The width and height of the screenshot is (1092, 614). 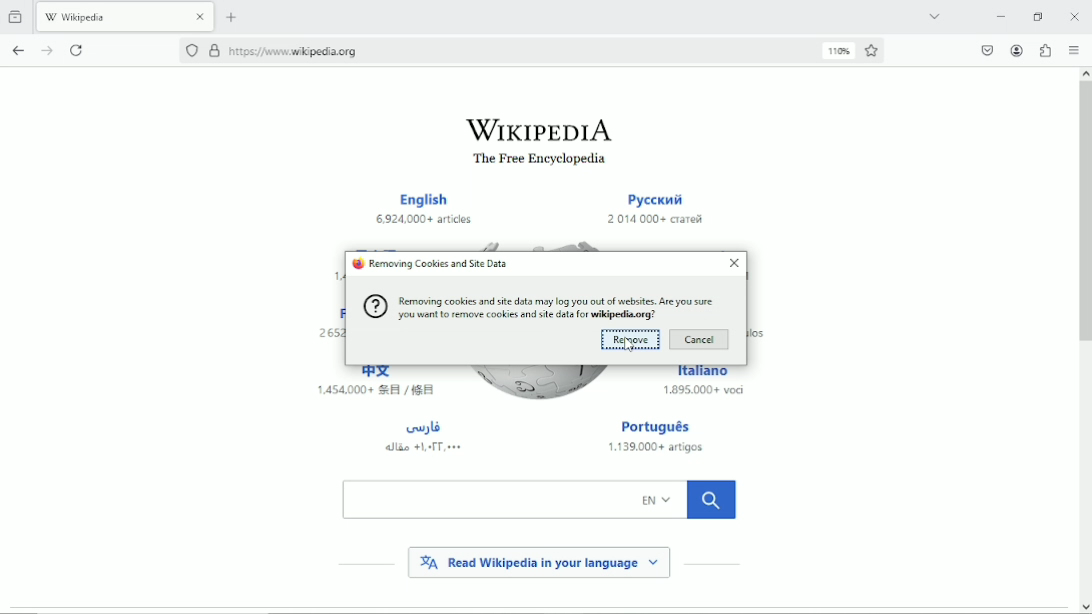 What do you see at coordinates (1016, 50) in the screenshot?
I see `account` at bounding box center [1016, 50].